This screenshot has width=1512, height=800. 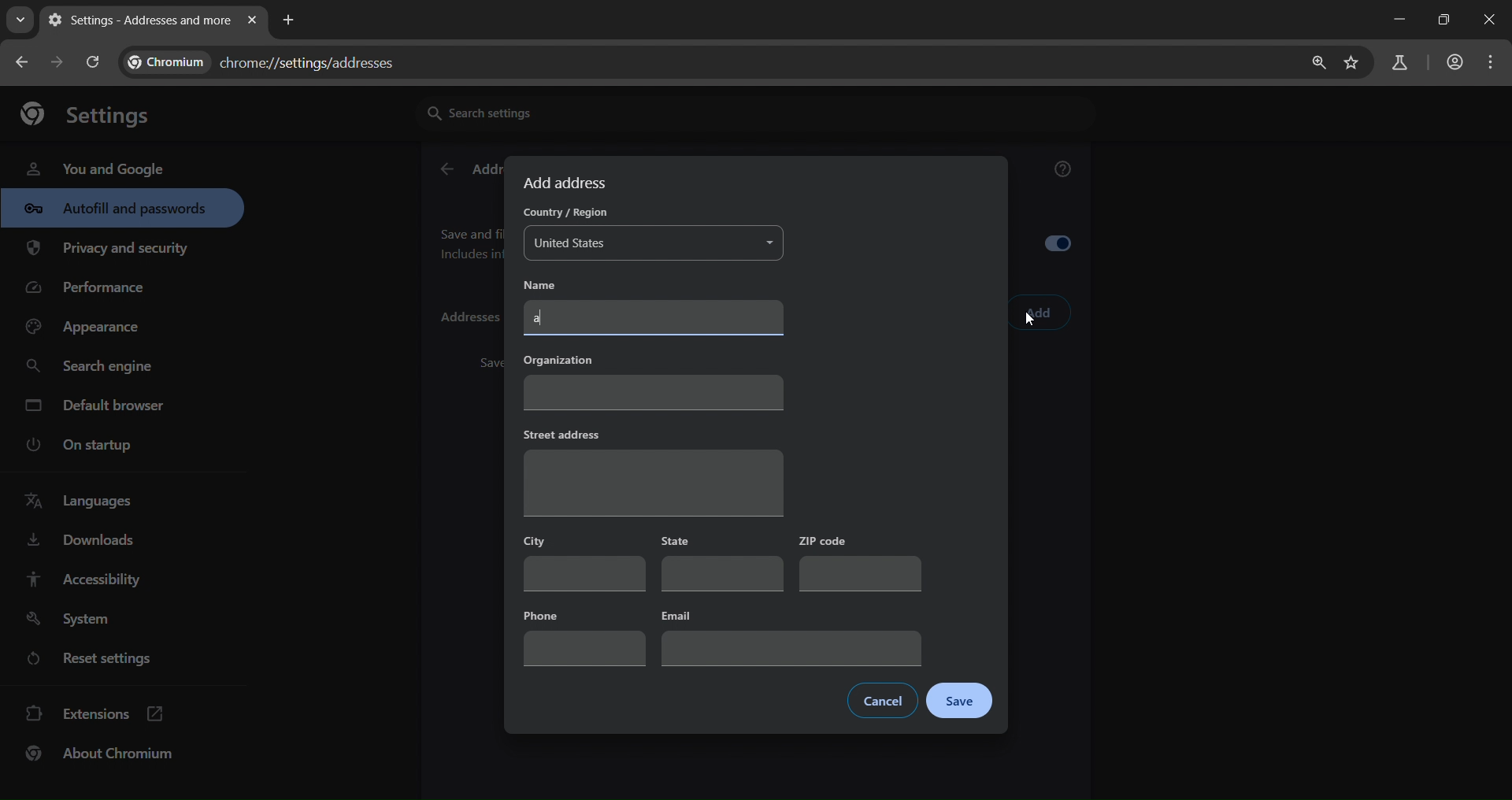 I want to click on privacy & security, so click(x=108, y=251).